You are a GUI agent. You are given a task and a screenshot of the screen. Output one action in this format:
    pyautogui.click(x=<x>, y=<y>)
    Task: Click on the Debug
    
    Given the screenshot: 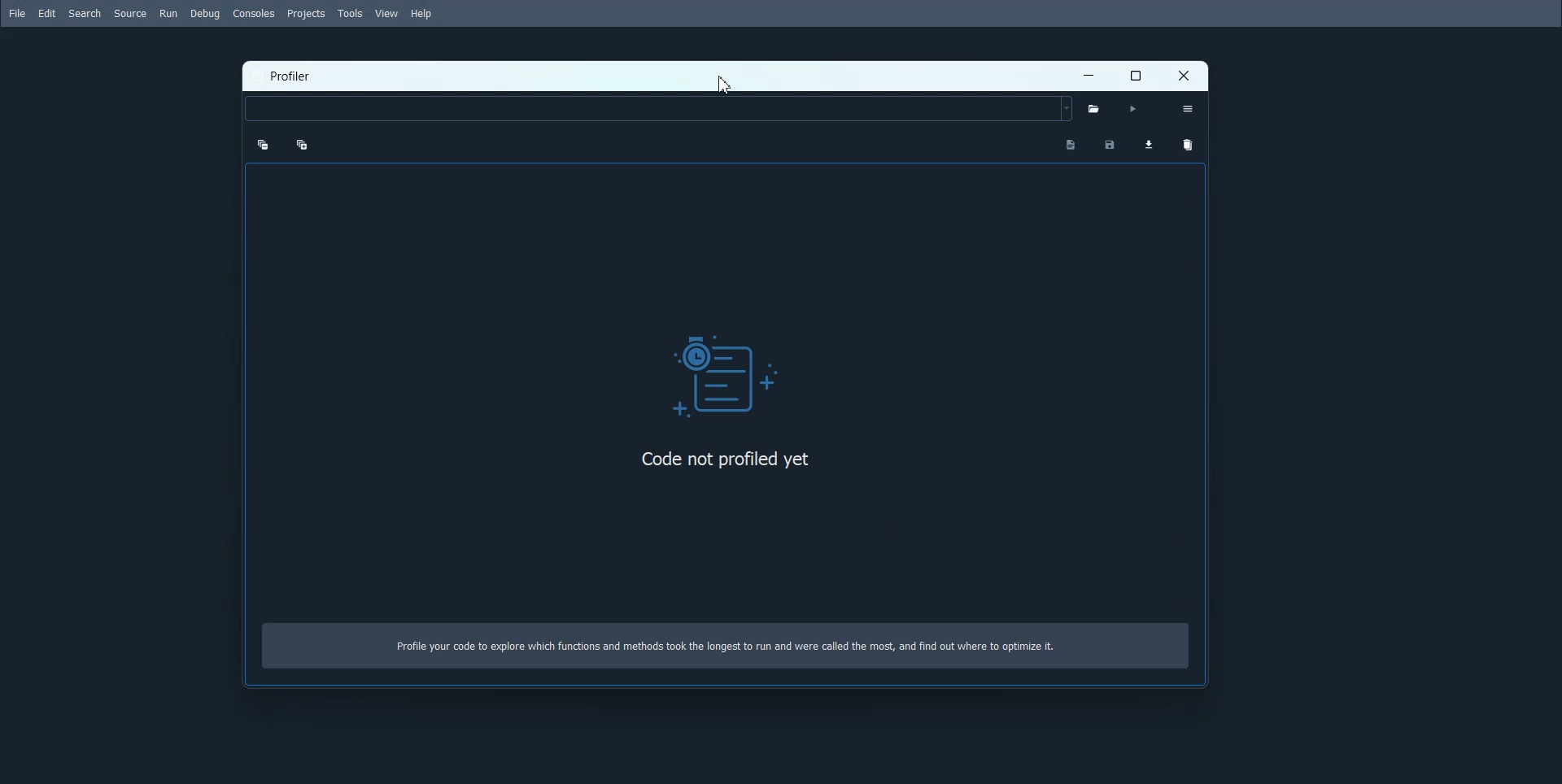 What is the action you would take?
    pyautogui.click(x=205, y=14)
    